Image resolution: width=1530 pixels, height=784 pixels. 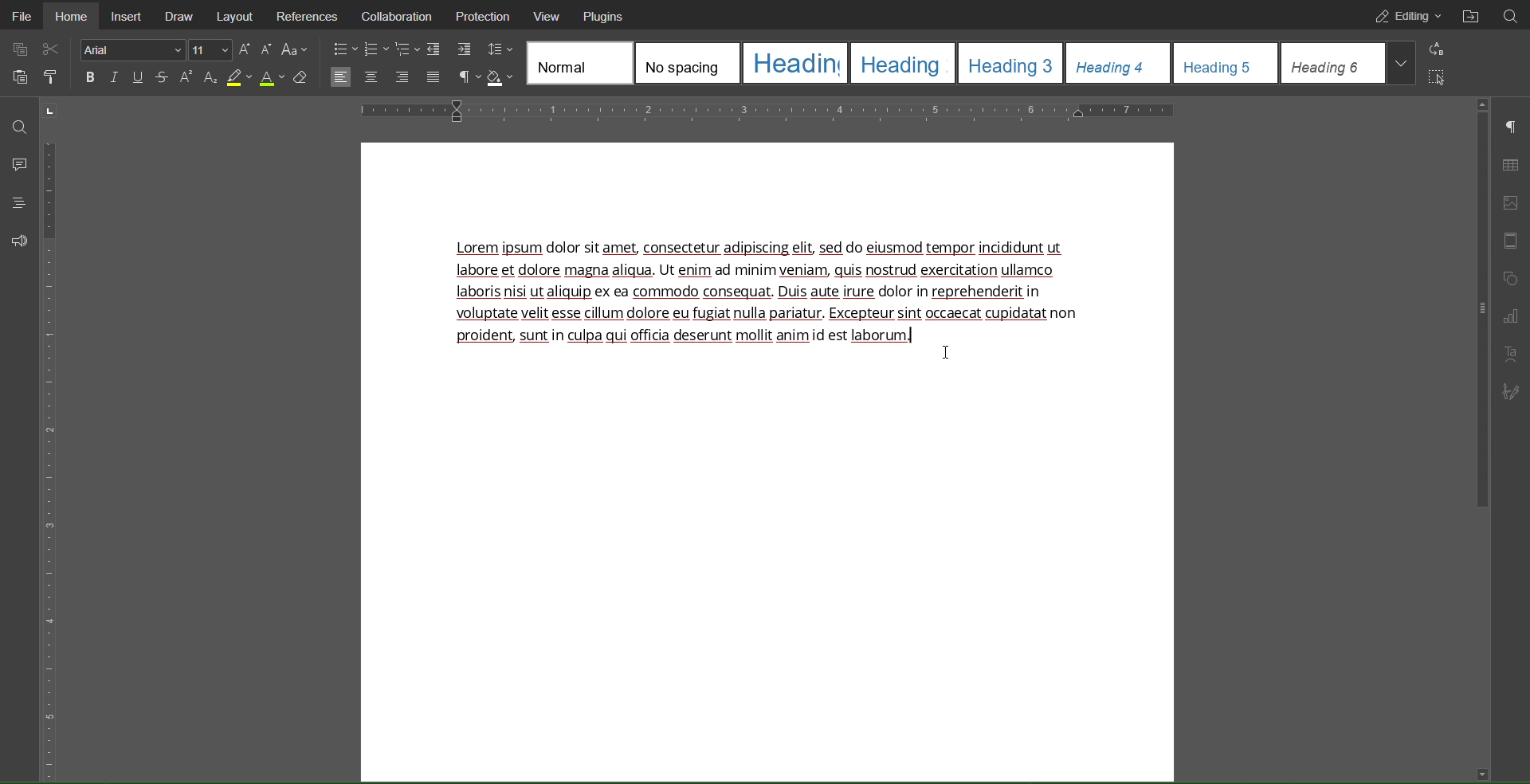 I want to click on Centre Align, so click(x=371, y=78).